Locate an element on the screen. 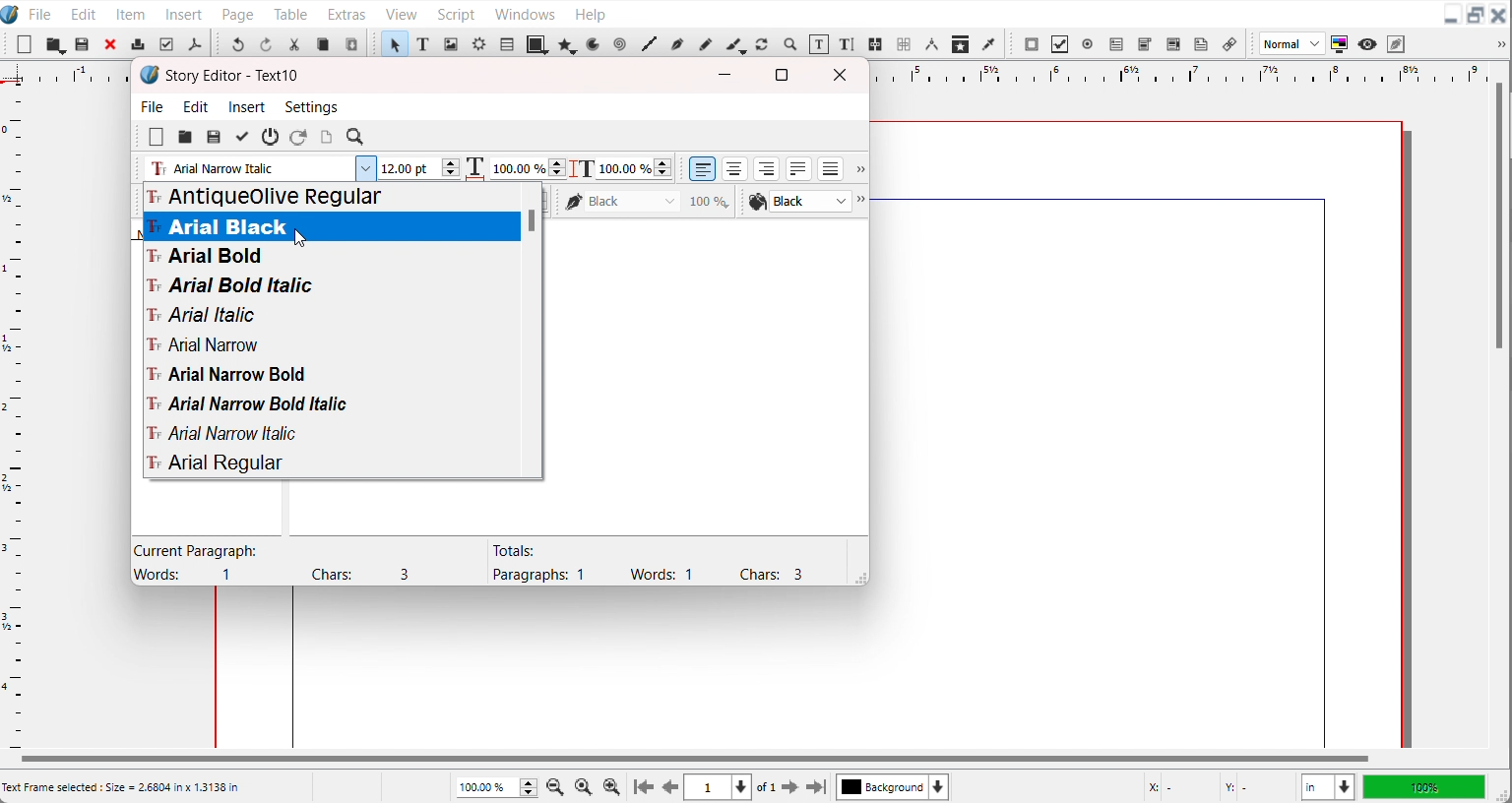 This screenshot has width=1512, height=803. Link text frame is located at coordinates (876, 45).